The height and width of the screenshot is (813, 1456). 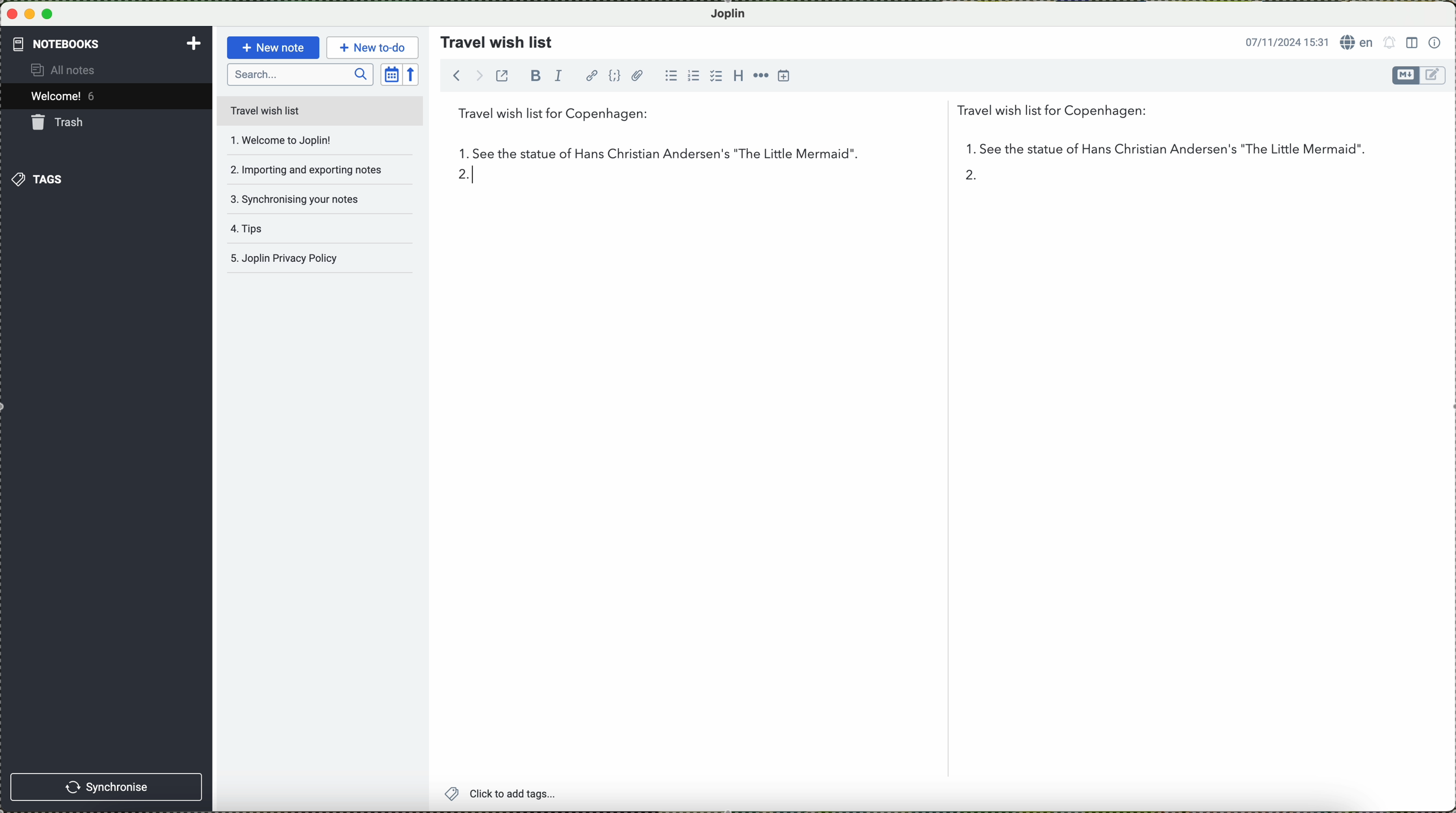 I want to click on travel wish list, so click(x=492, y=38).